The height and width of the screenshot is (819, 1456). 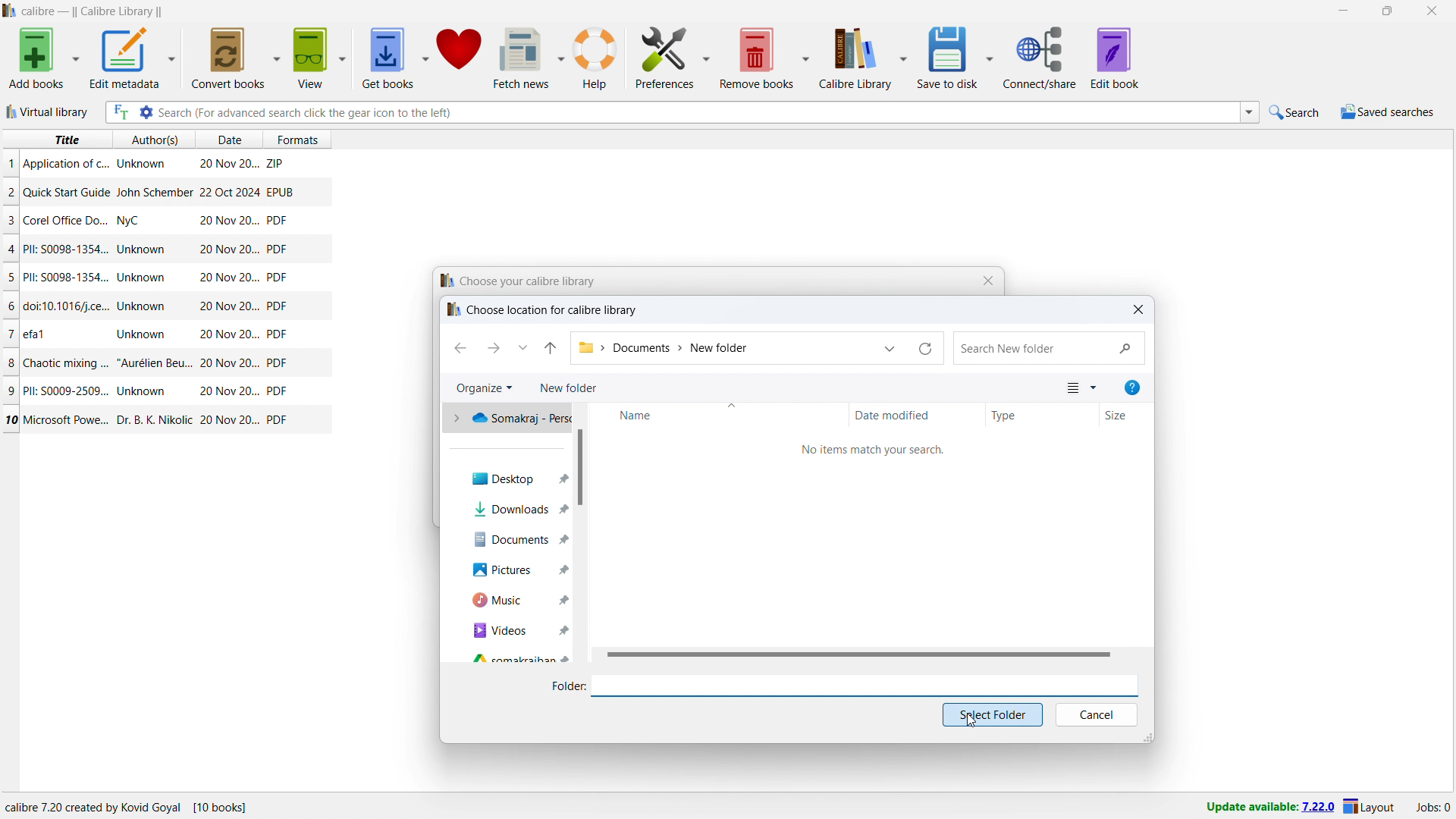 What do you see at coordinates (991, 55) in the screenshot?
I see `save to disk options` at bounding box center [991, 55].